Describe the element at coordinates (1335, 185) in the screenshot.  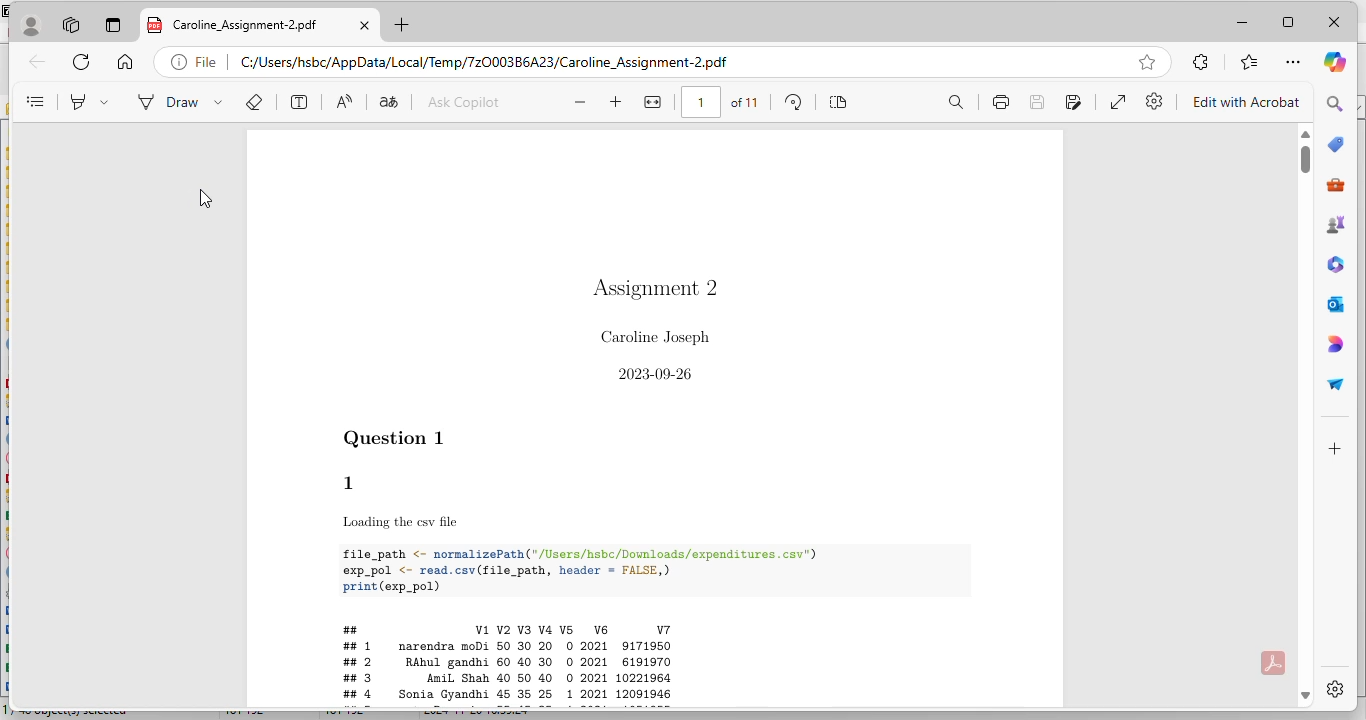
I see `tools` at that location.